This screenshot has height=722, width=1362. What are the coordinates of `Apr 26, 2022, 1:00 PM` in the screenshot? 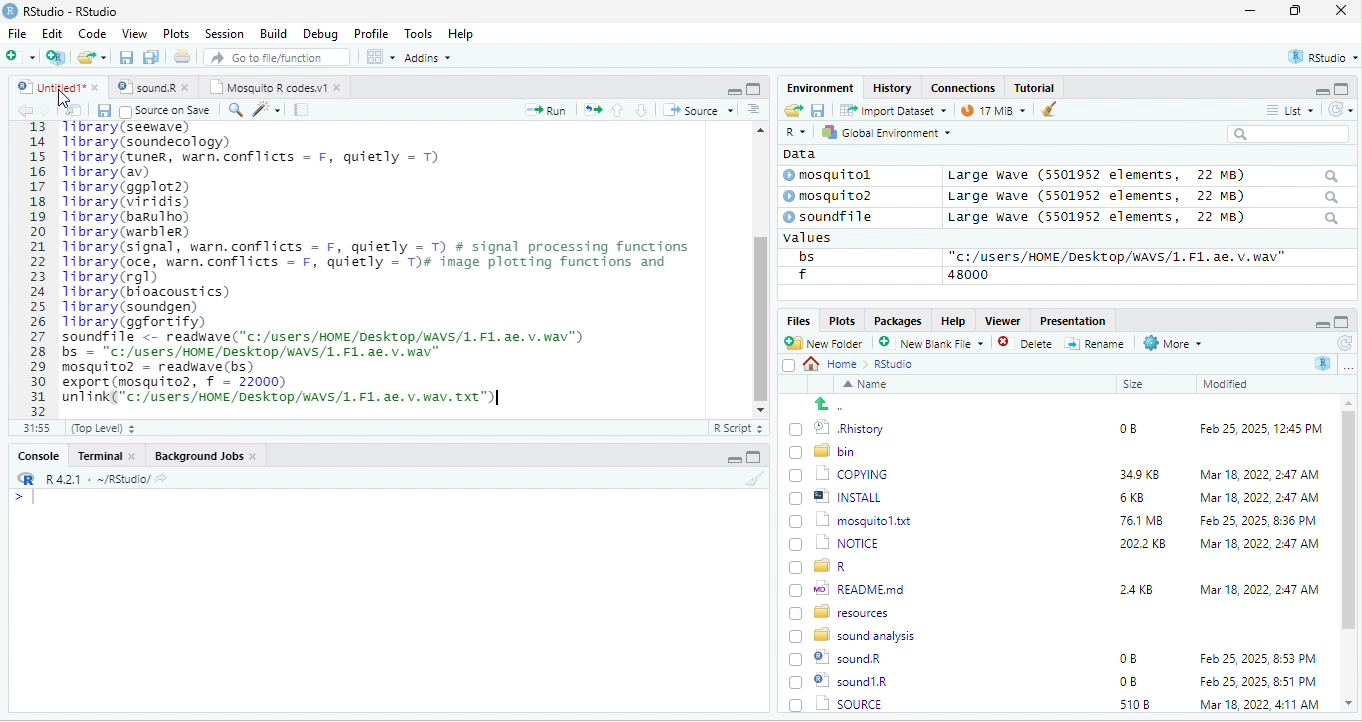 It's located at (1260, 706).